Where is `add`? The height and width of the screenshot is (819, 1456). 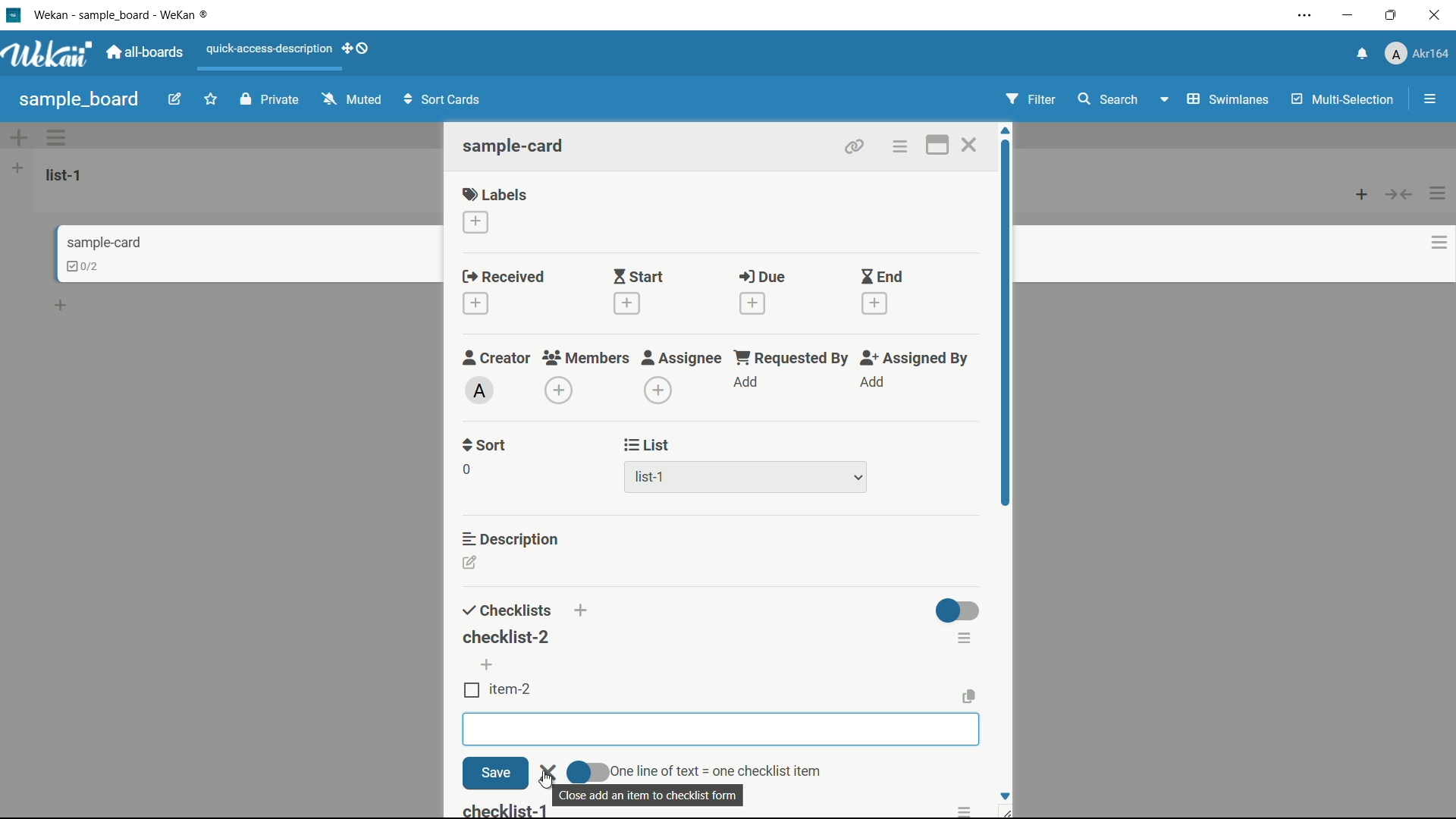 add is located at coordinates (585, 613).